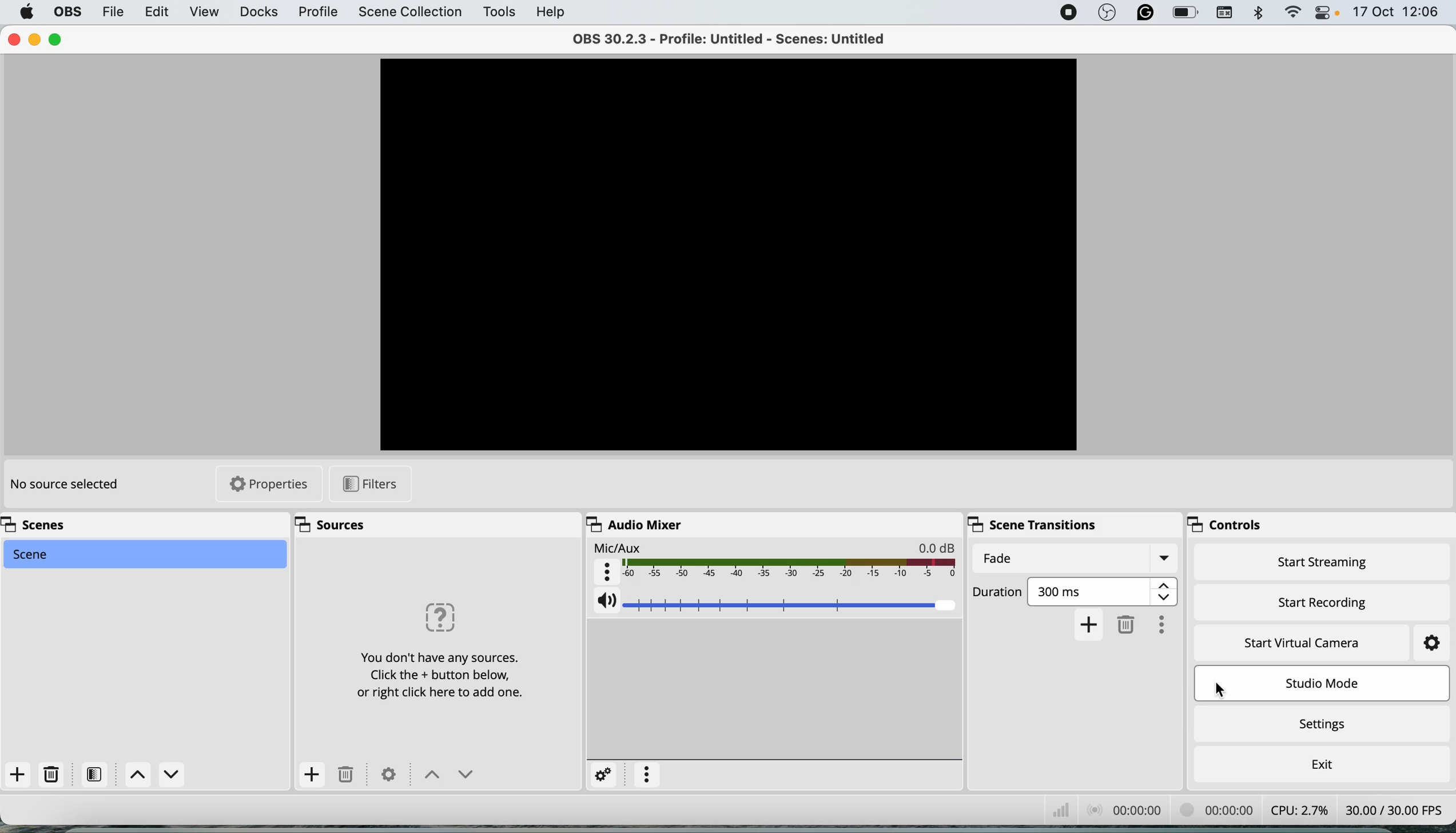 The width and height of the screenshot is (1456, 833). I want to click on wifi, so click(1292, 13).